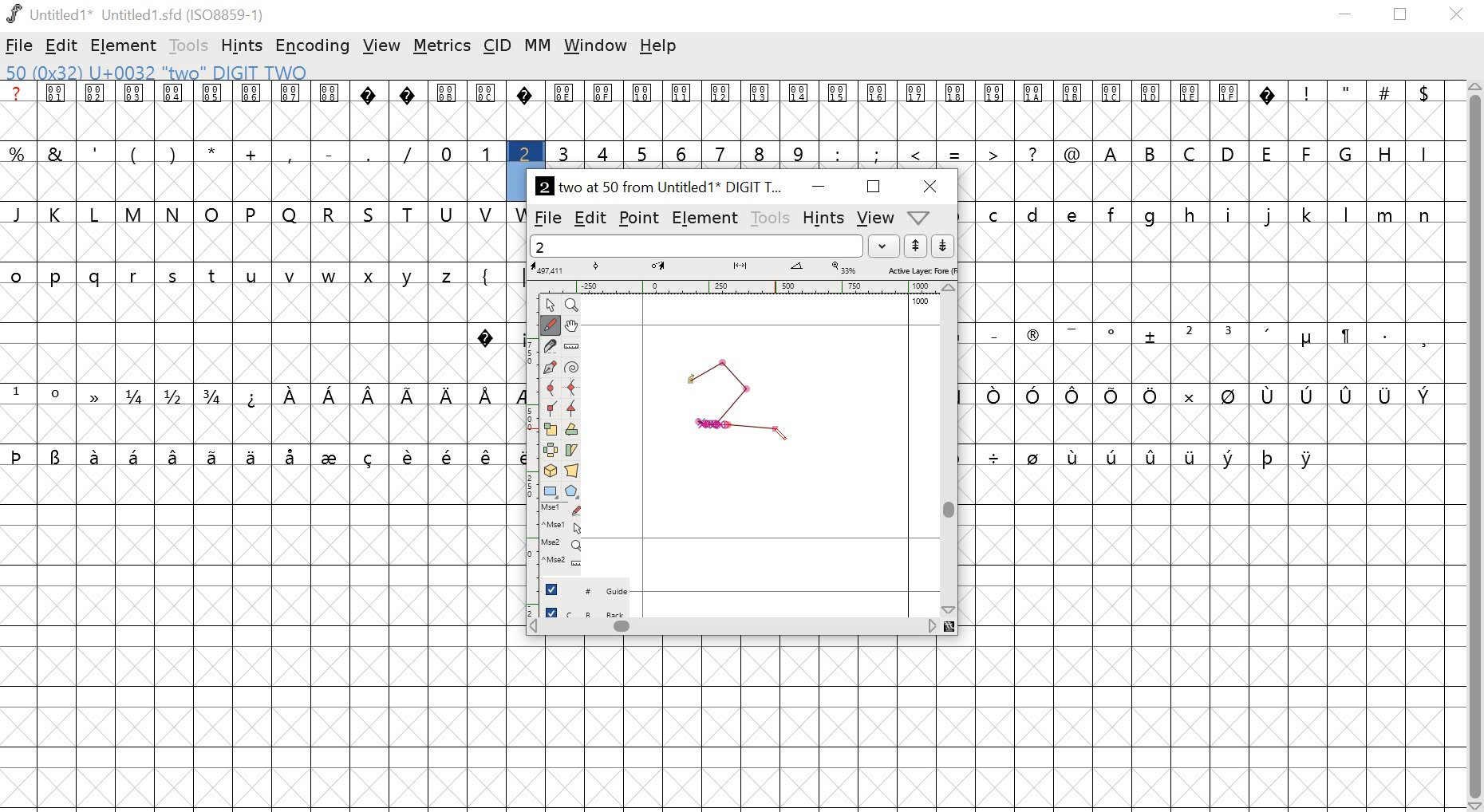  I want to click on rectangle/ellipse, so click(552, 491).